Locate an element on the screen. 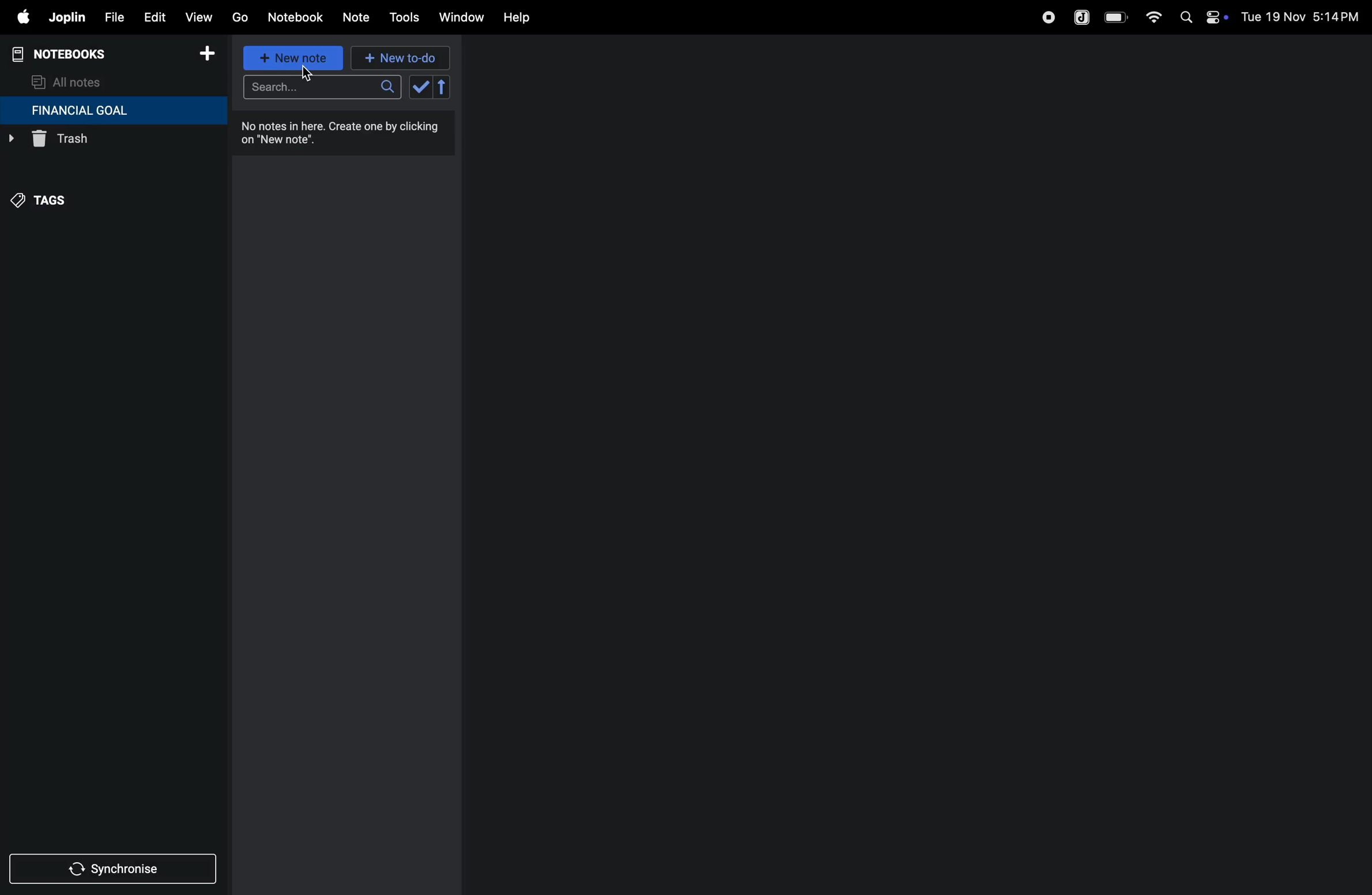 This screenshot has height=895, width=1372. add is located at coordinates (207, 55).